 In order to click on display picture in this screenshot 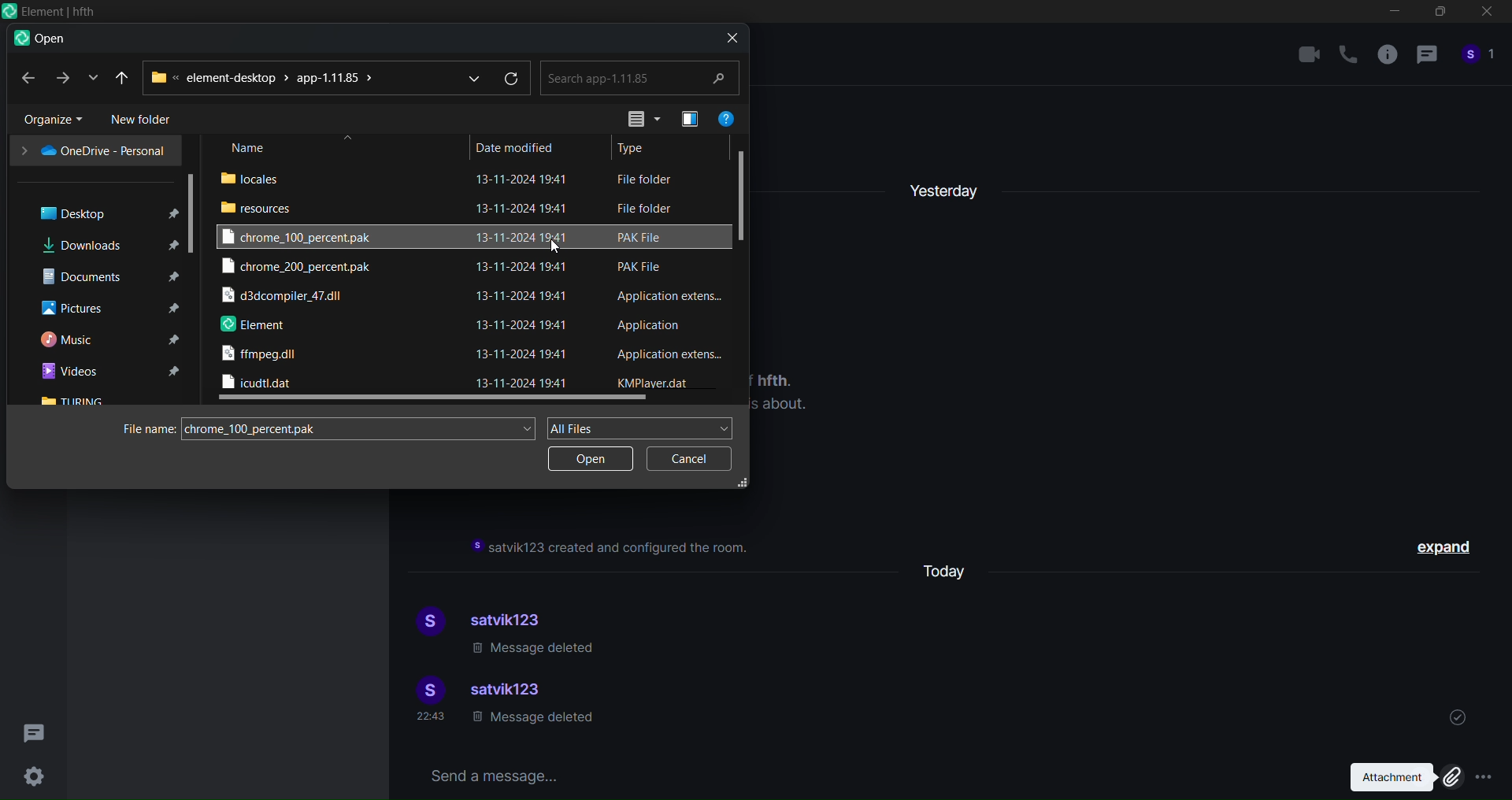, I will do `click(424, 687)`.